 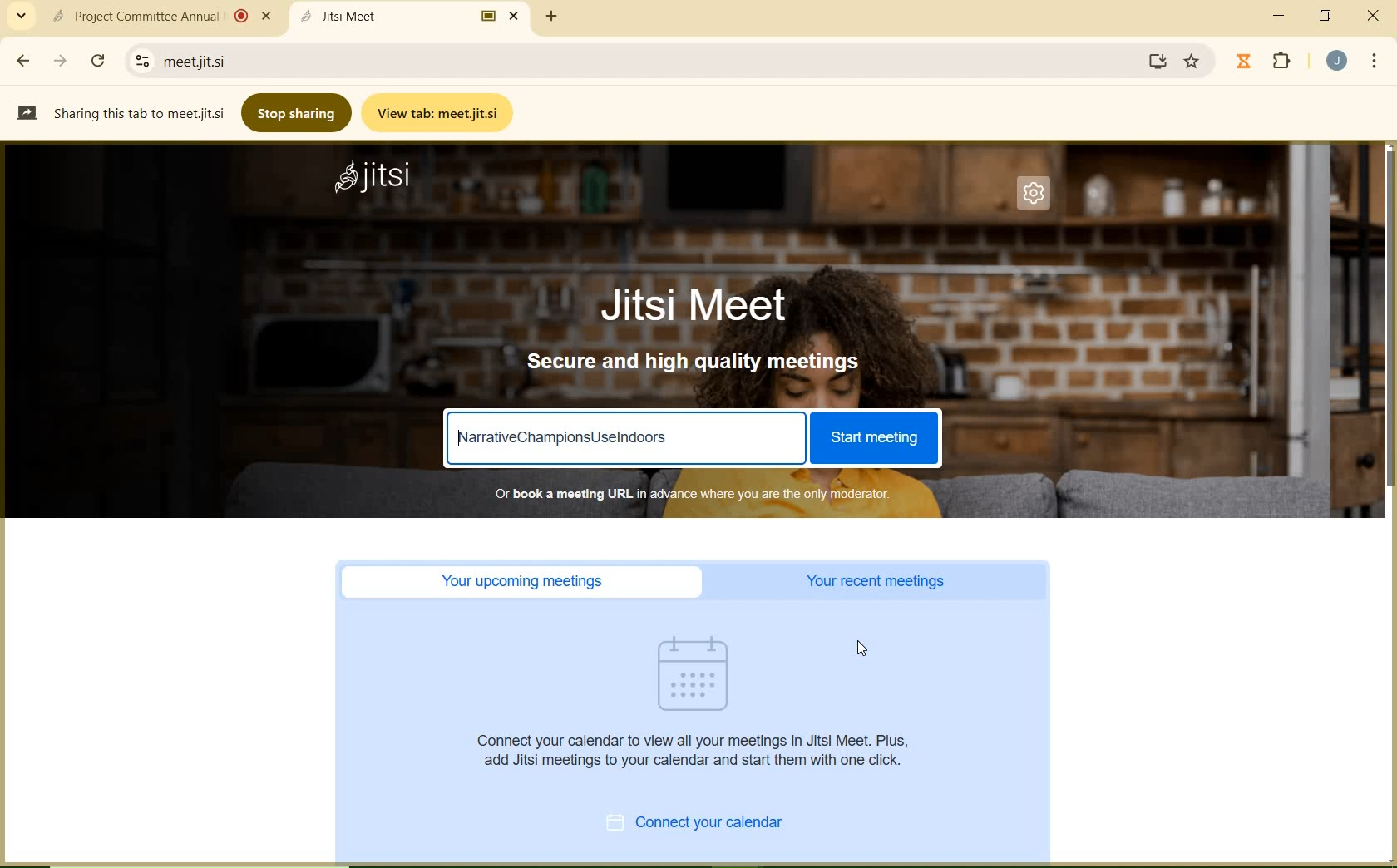 What do you see at coordinates (62, 62) in the screenshot?
I see `forward` at bounding box center [62, 62].